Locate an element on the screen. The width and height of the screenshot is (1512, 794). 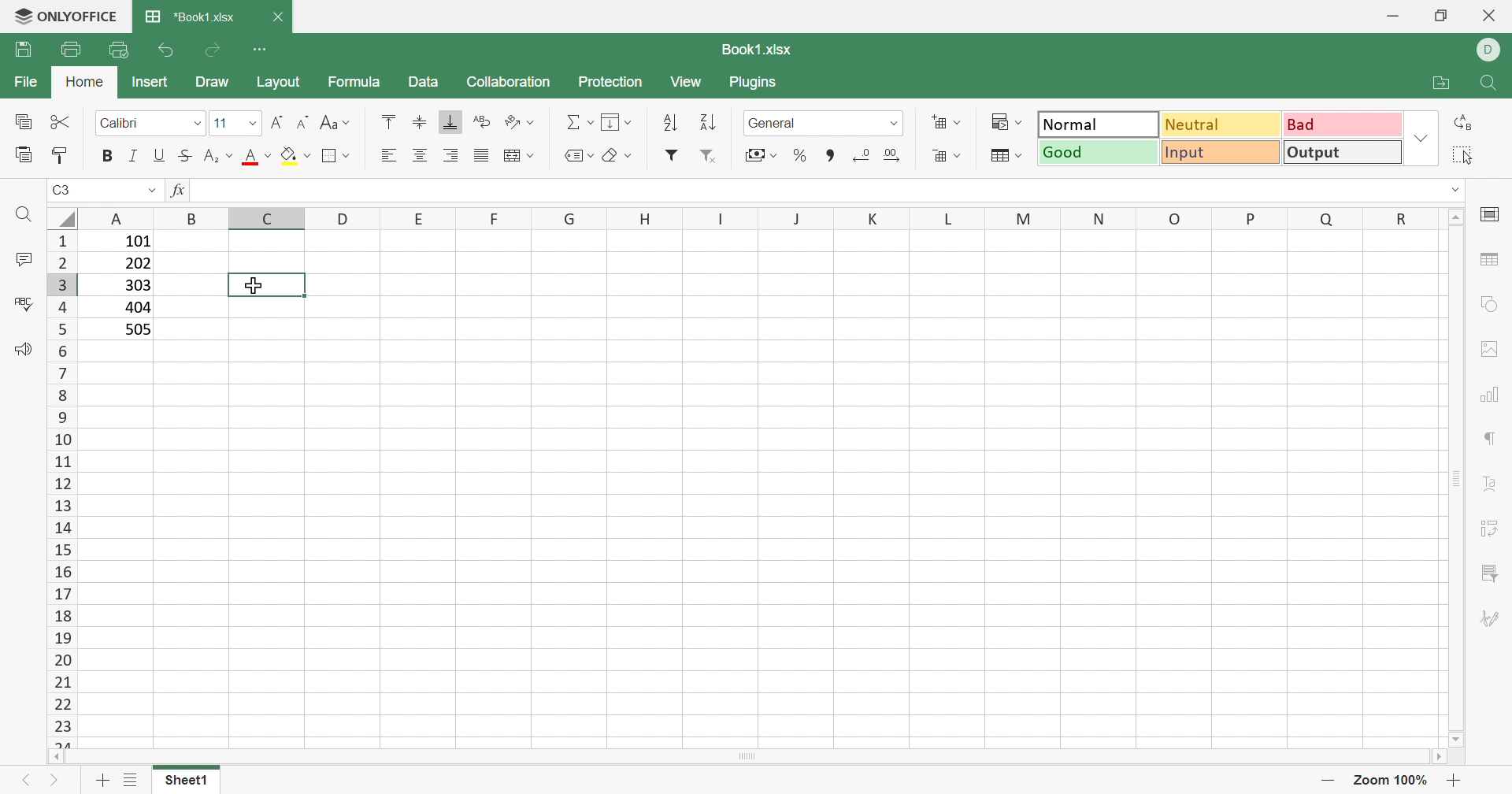
Row Numbers is located at coordinates (59, 488).